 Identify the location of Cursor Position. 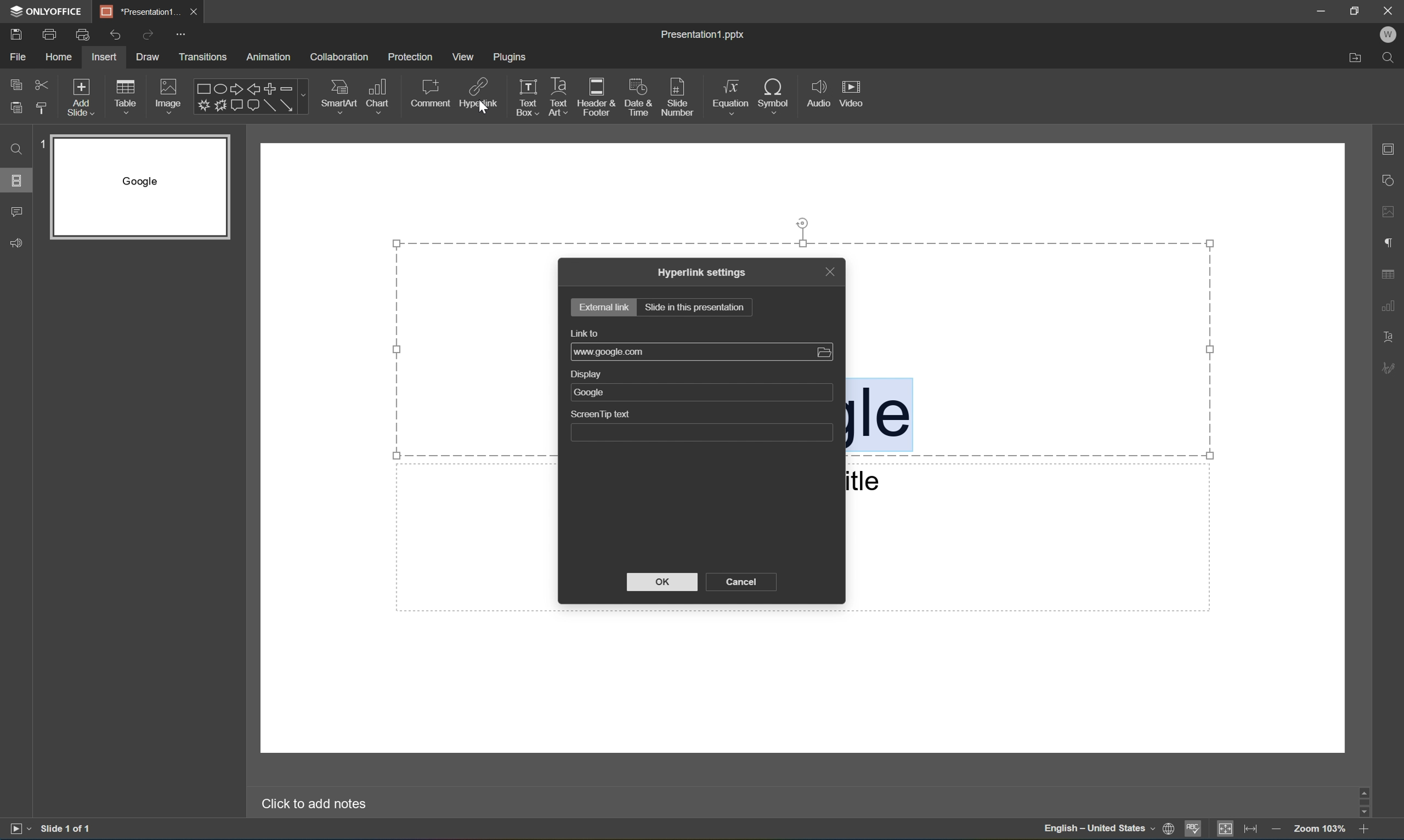
(482, 106).